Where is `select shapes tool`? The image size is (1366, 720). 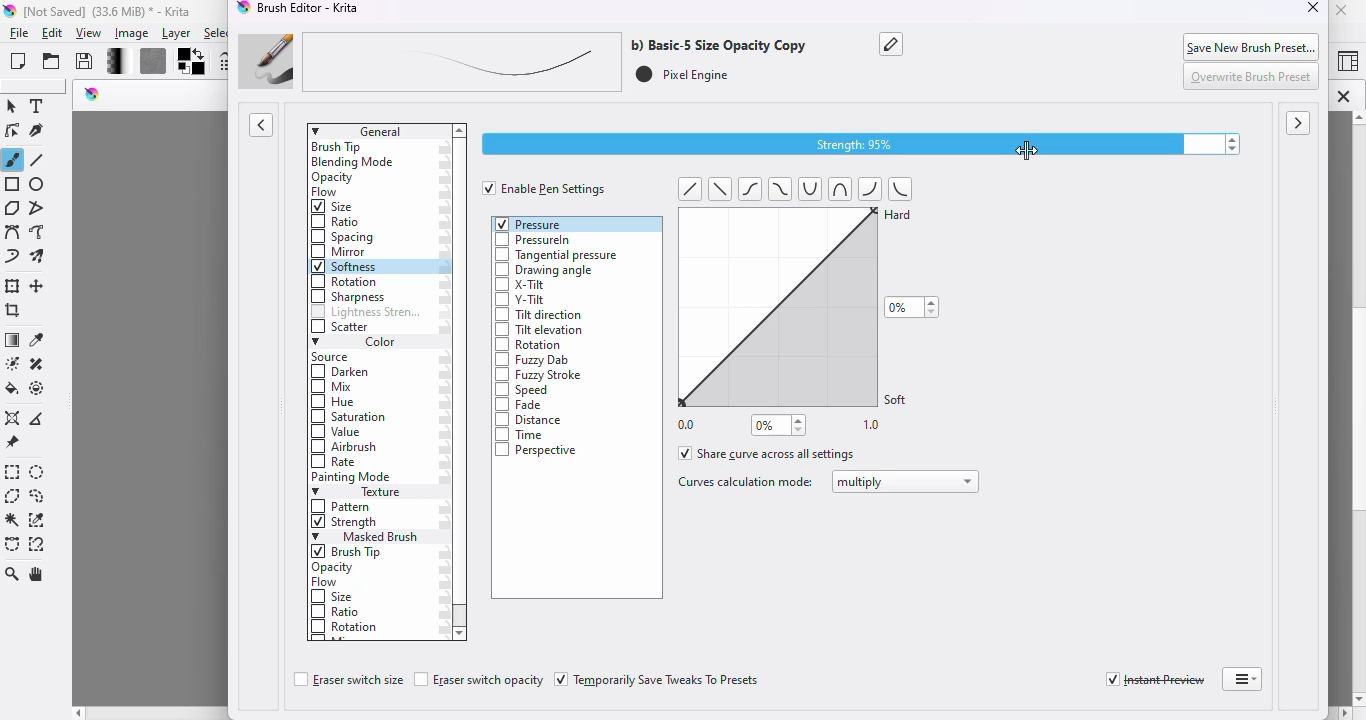
select shapes tool is located at coordinates (12, 106).